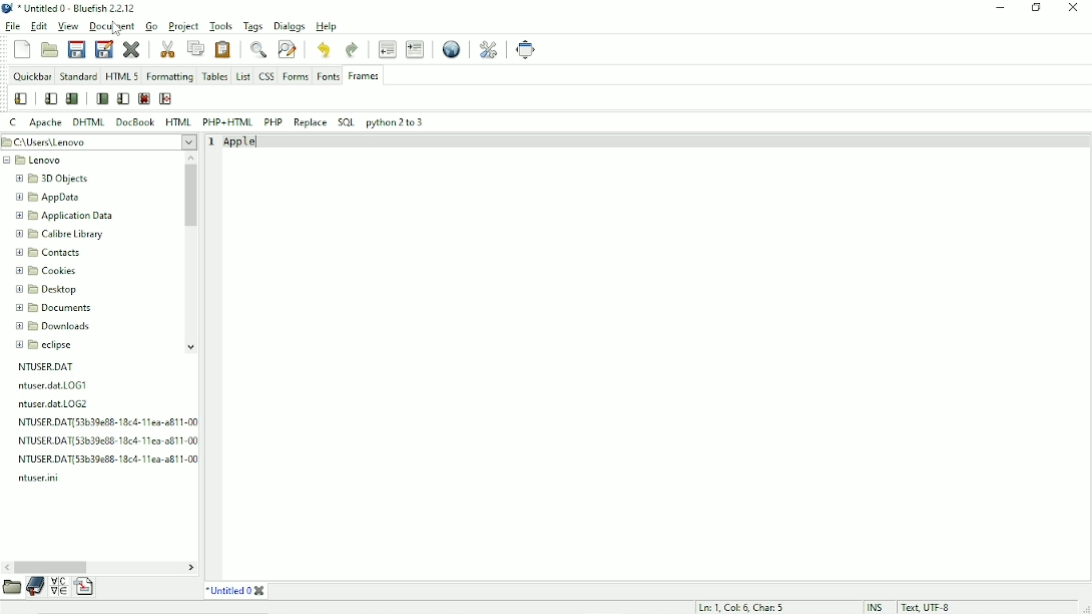 The image size is (1092, 614). What do you see at coordinates (59, 587) in the screenshot?
I see `Symbol` at bounding box center [59, 587].